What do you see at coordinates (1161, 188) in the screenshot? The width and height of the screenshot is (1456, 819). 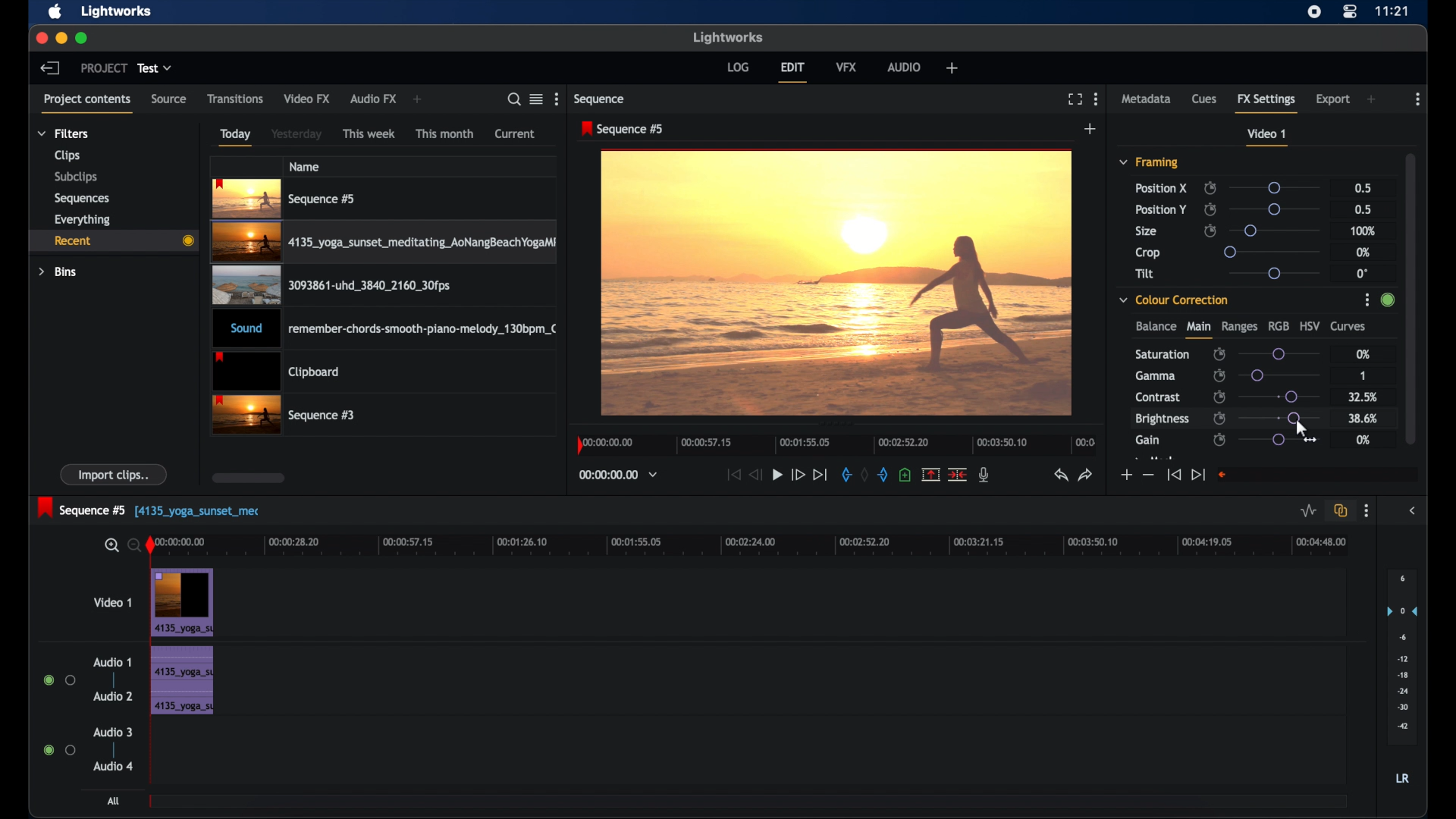 I see `position x` at bounding box center [1161, 188].